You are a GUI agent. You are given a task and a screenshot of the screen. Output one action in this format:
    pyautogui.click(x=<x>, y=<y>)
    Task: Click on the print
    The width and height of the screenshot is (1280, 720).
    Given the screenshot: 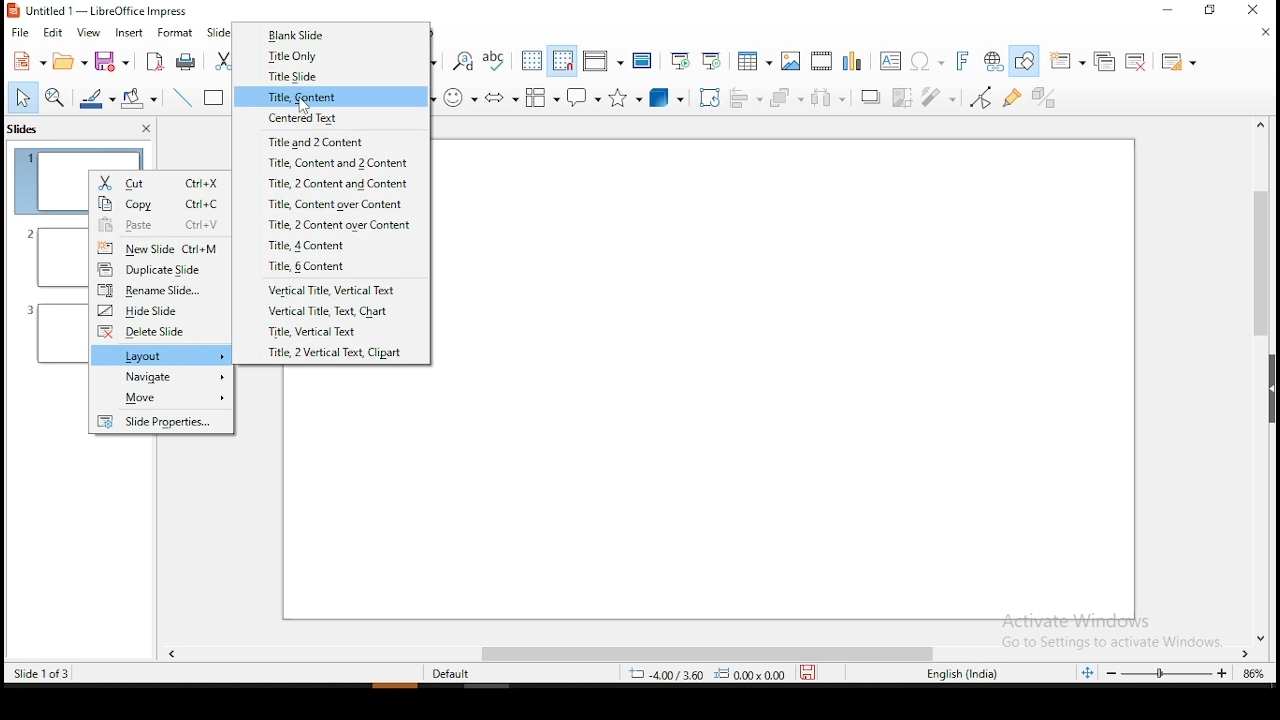 What is the action you would take?
    pyautogui.click(x=185, y=61)
    